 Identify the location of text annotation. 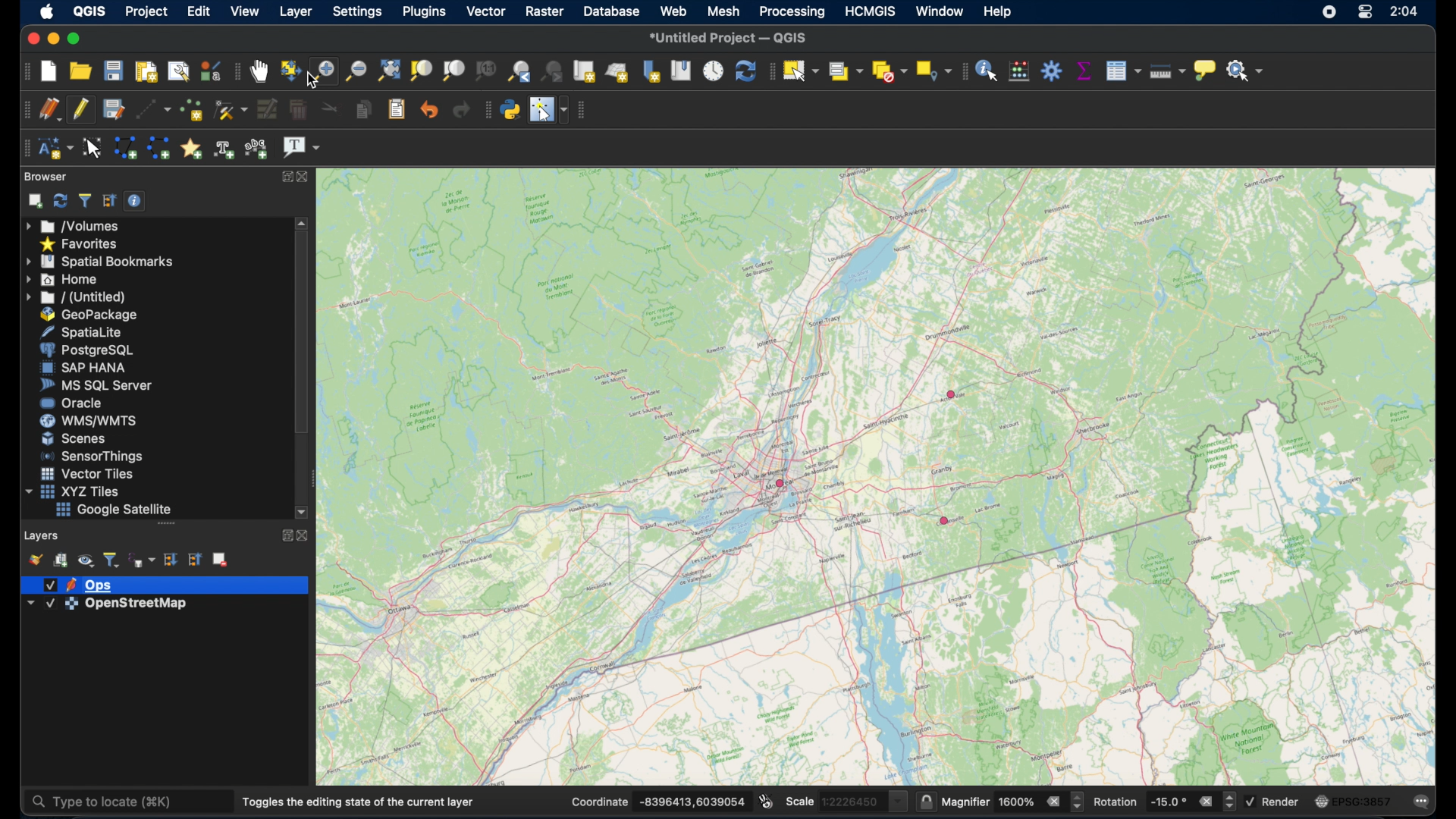
(302, 148).